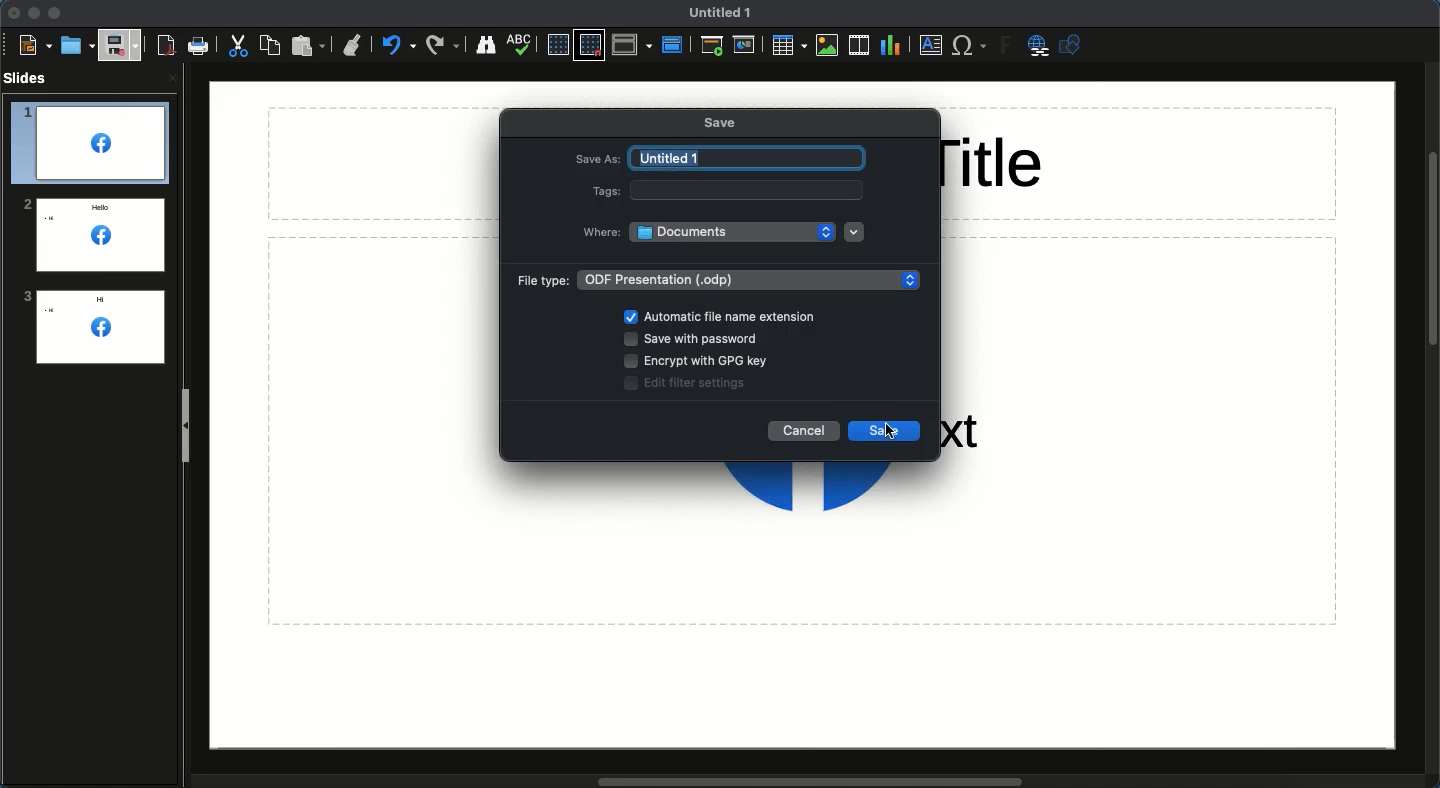 Image resolution: width=1440 pixels, height=788 pixels. Describe the element at coordinates (714, 46) in the screenshot. I see `First slide` at that location.